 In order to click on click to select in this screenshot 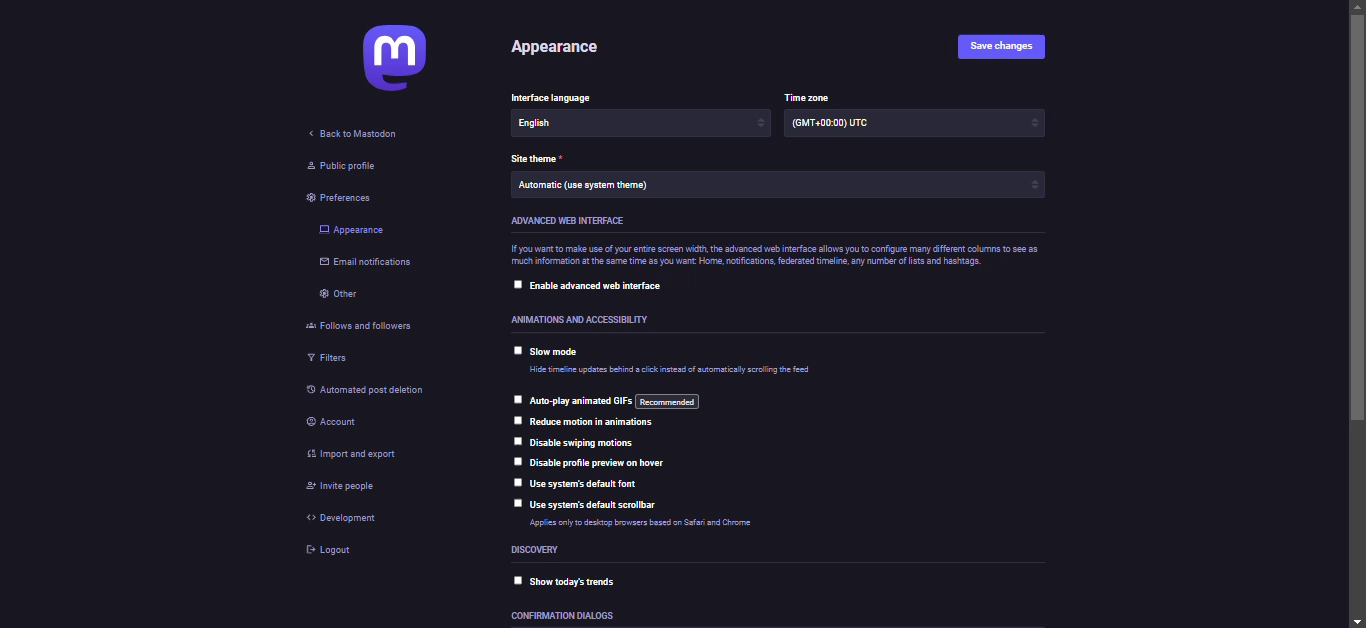, I will do `click(512, 349)`.